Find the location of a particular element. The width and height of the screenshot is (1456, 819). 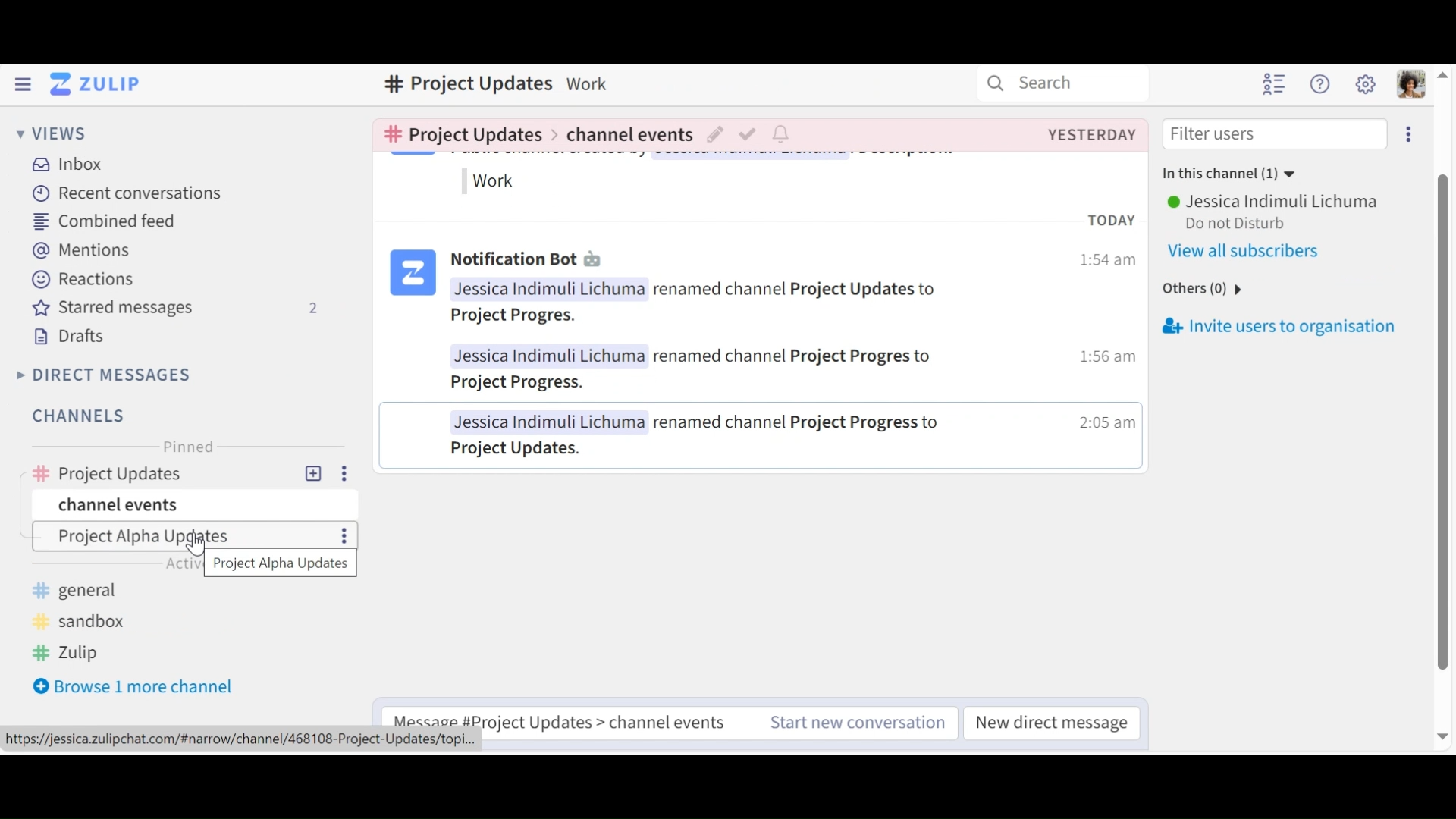

Invite users to oraginsation is located at coordinates (1295, 324).